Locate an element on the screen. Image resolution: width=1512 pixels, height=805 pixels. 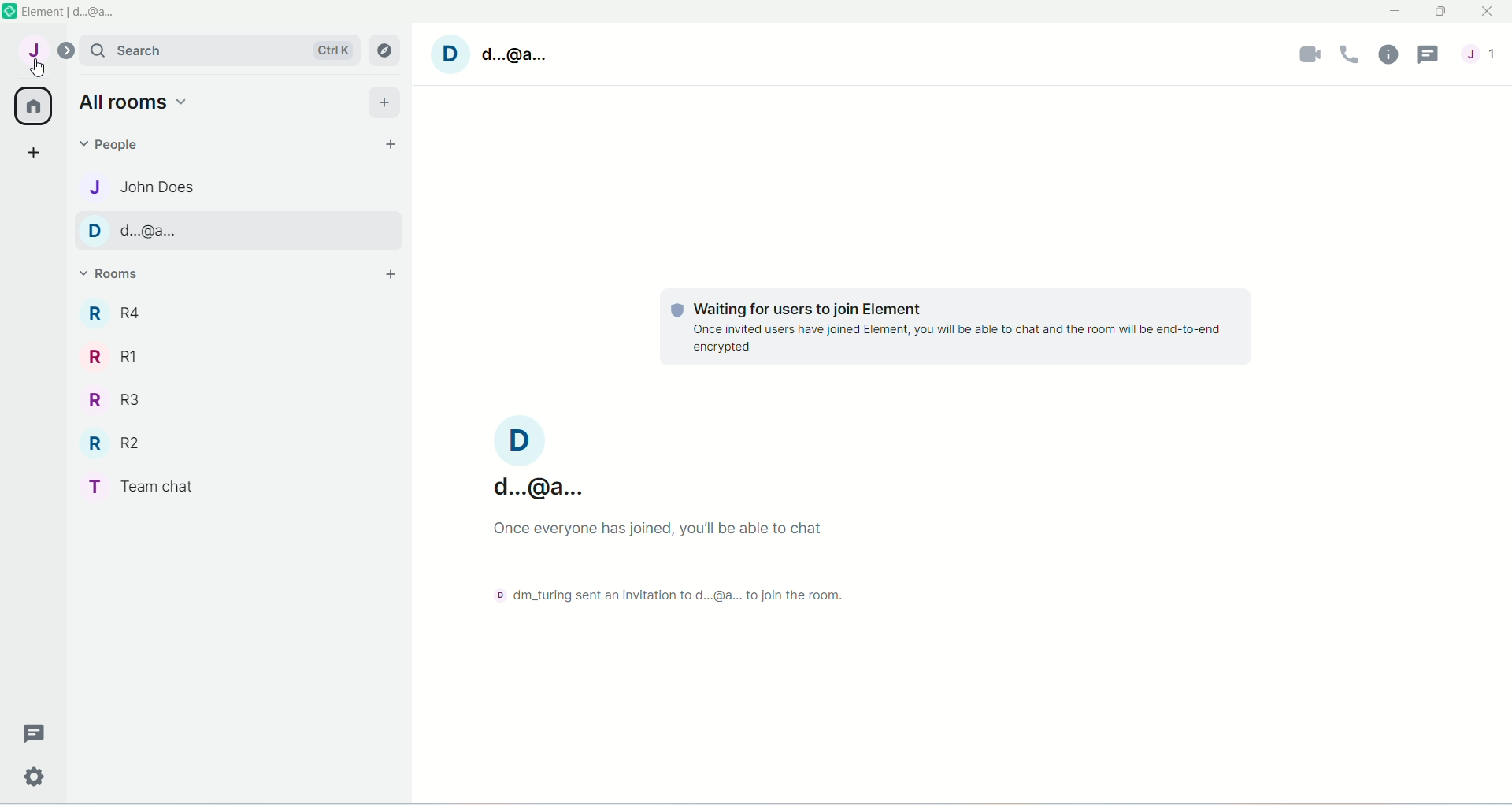
dm_turing sent an invitation to d..@a to join the room is located at coordinates (650, 601).